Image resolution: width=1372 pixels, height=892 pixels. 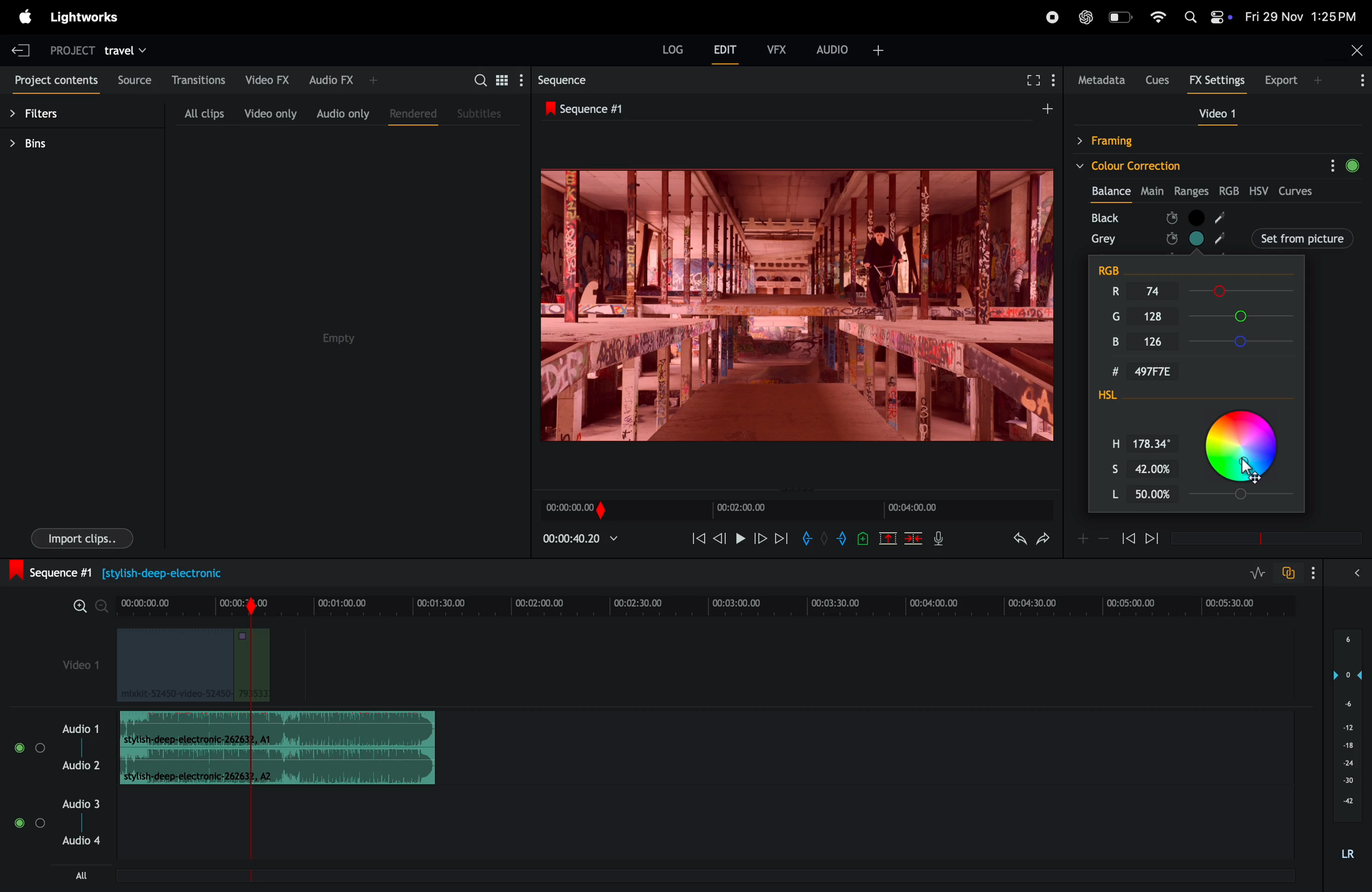 I want to click on show menu, so click(x=1055, y=75).